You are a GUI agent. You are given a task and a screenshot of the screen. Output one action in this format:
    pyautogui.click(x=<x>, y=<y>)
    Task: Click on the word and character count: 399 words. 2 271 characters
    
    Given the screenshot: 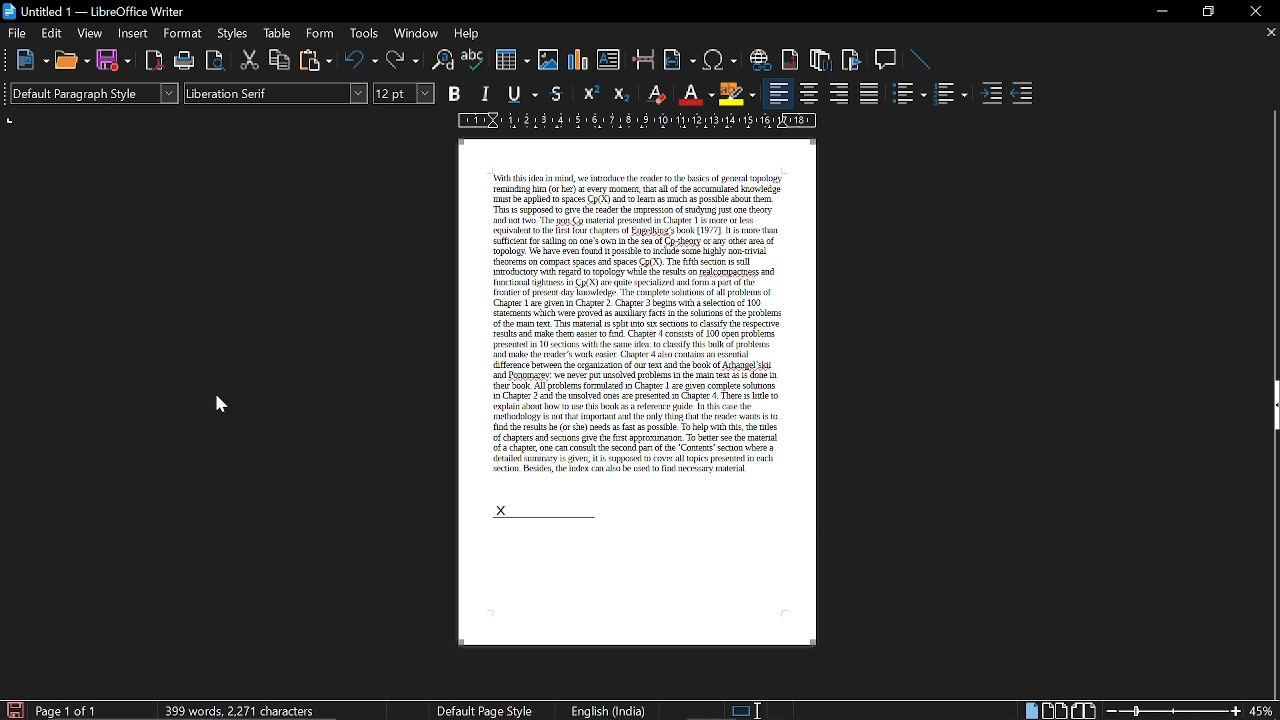 What is the action you would take?
    pyautogui.click(x=242, y=709)
    